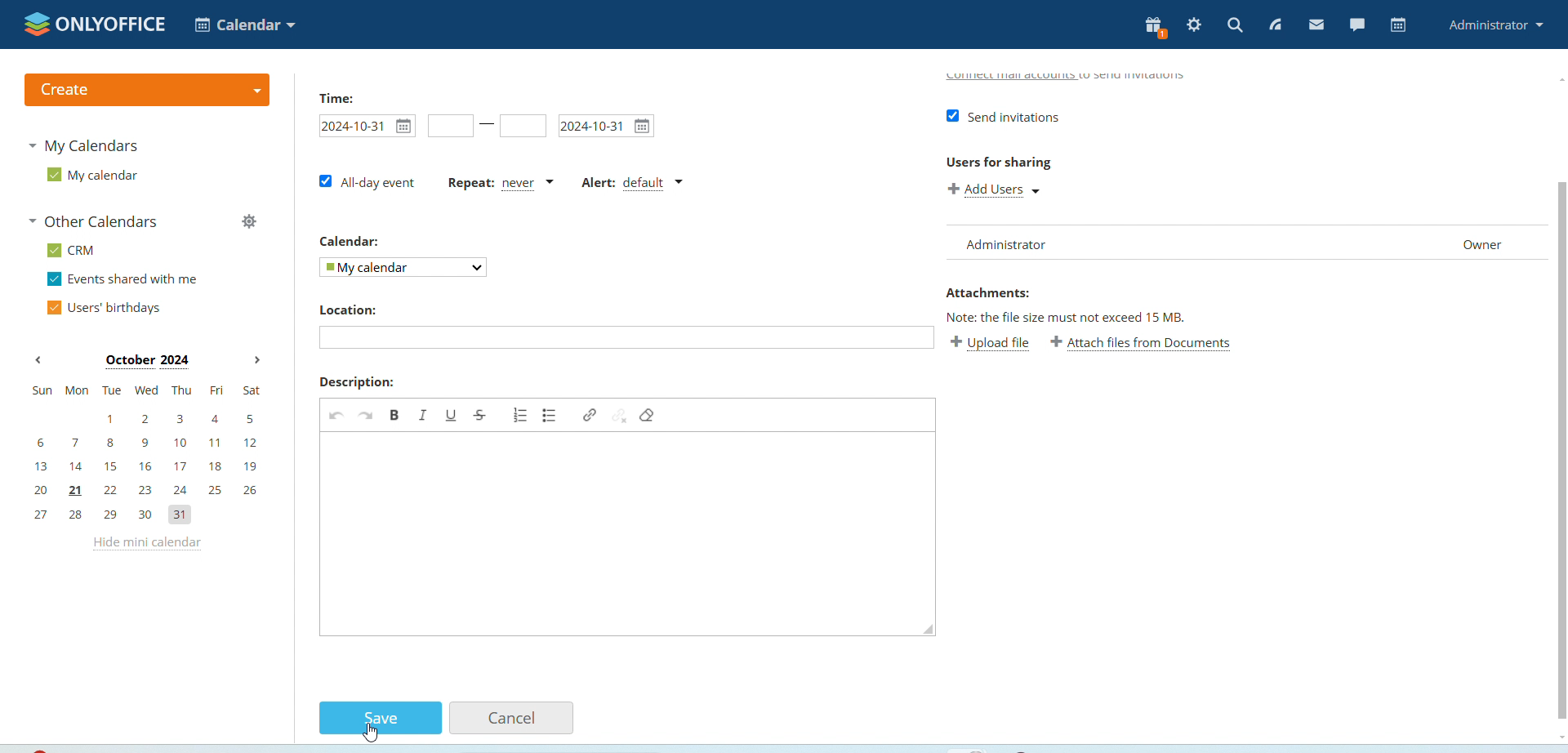 The height and width of the screenshot is (753, 1568). I want to click on administrator owner, so click(1248, 243).